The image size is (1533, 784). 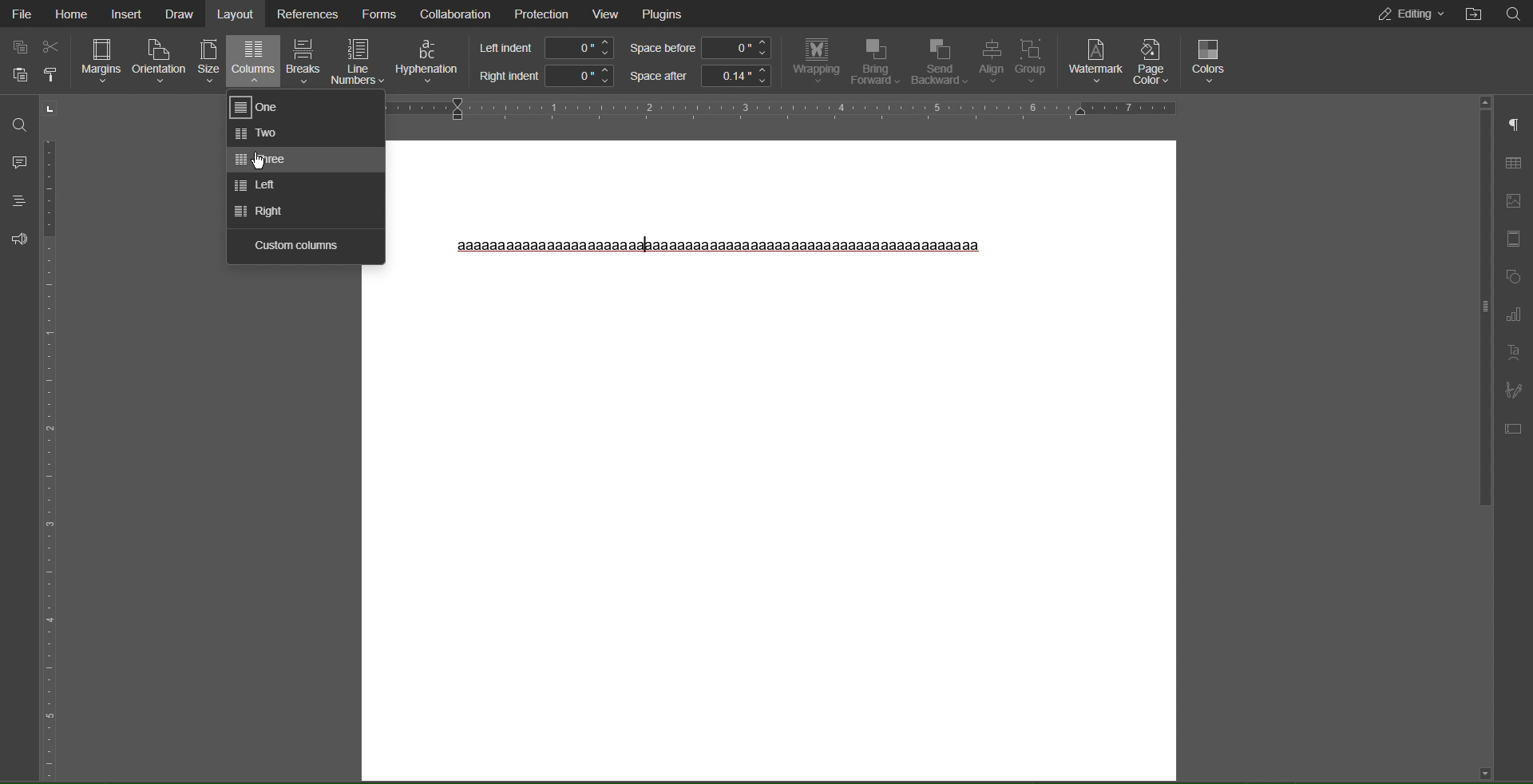 What do you see at coordinates (1515, 239) in the screenshot?
I see `Header/Footer` at bounding box center [1515, 239].